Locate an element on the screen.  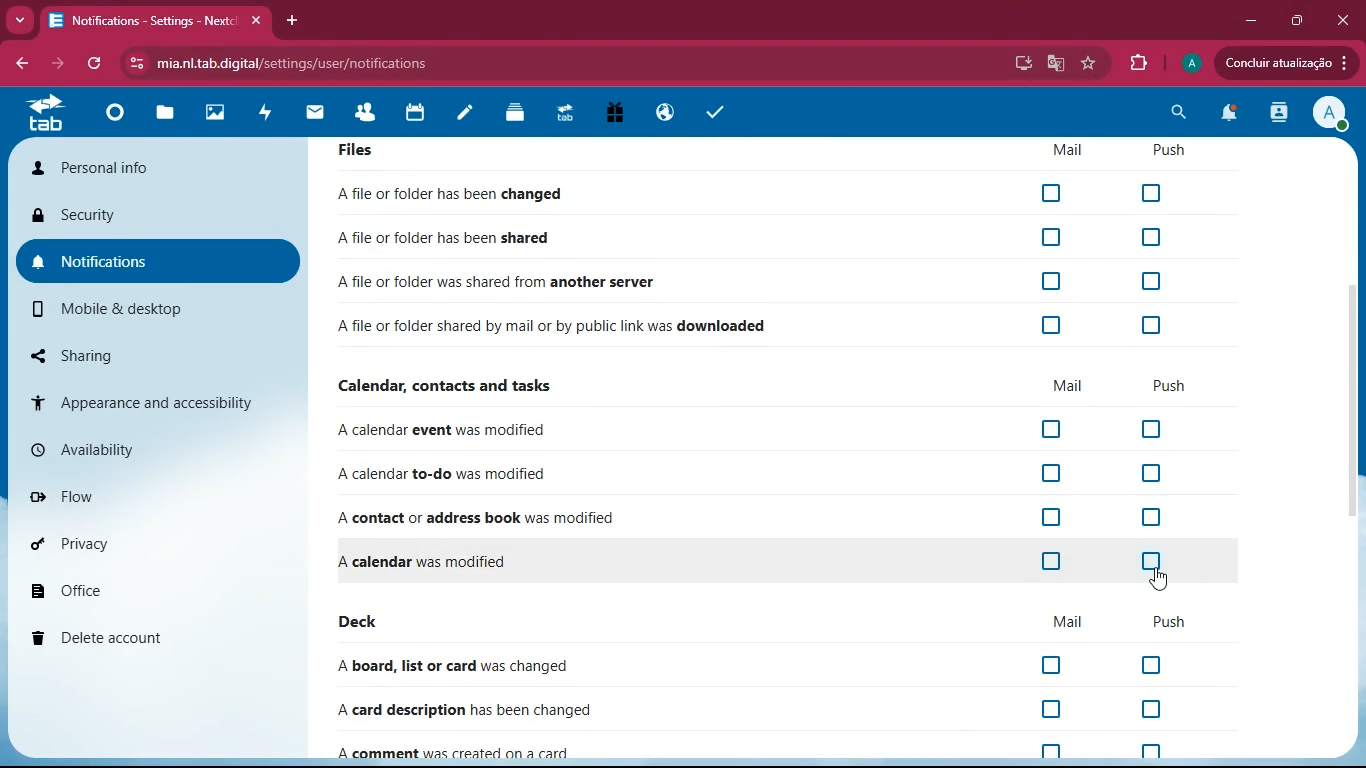
bacj is located at coordinates (20, 66).